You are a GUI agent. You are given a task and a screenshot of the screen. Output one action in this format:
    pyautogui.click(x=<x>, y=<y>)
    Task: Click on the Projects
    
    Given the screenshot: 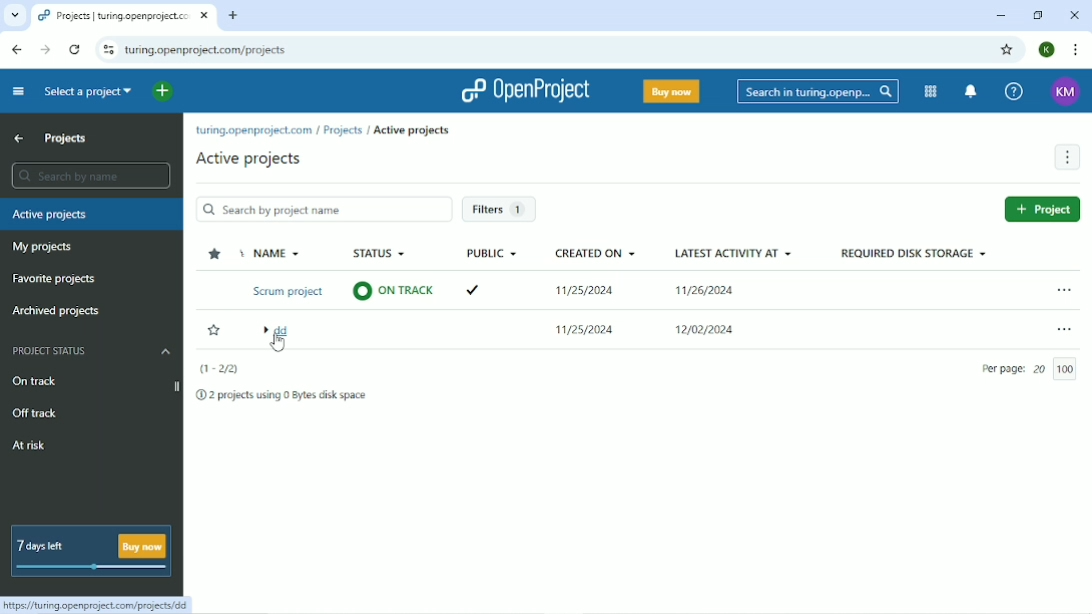 What is the action you would take?
    pyautogui.click(x=343, y=130)
    